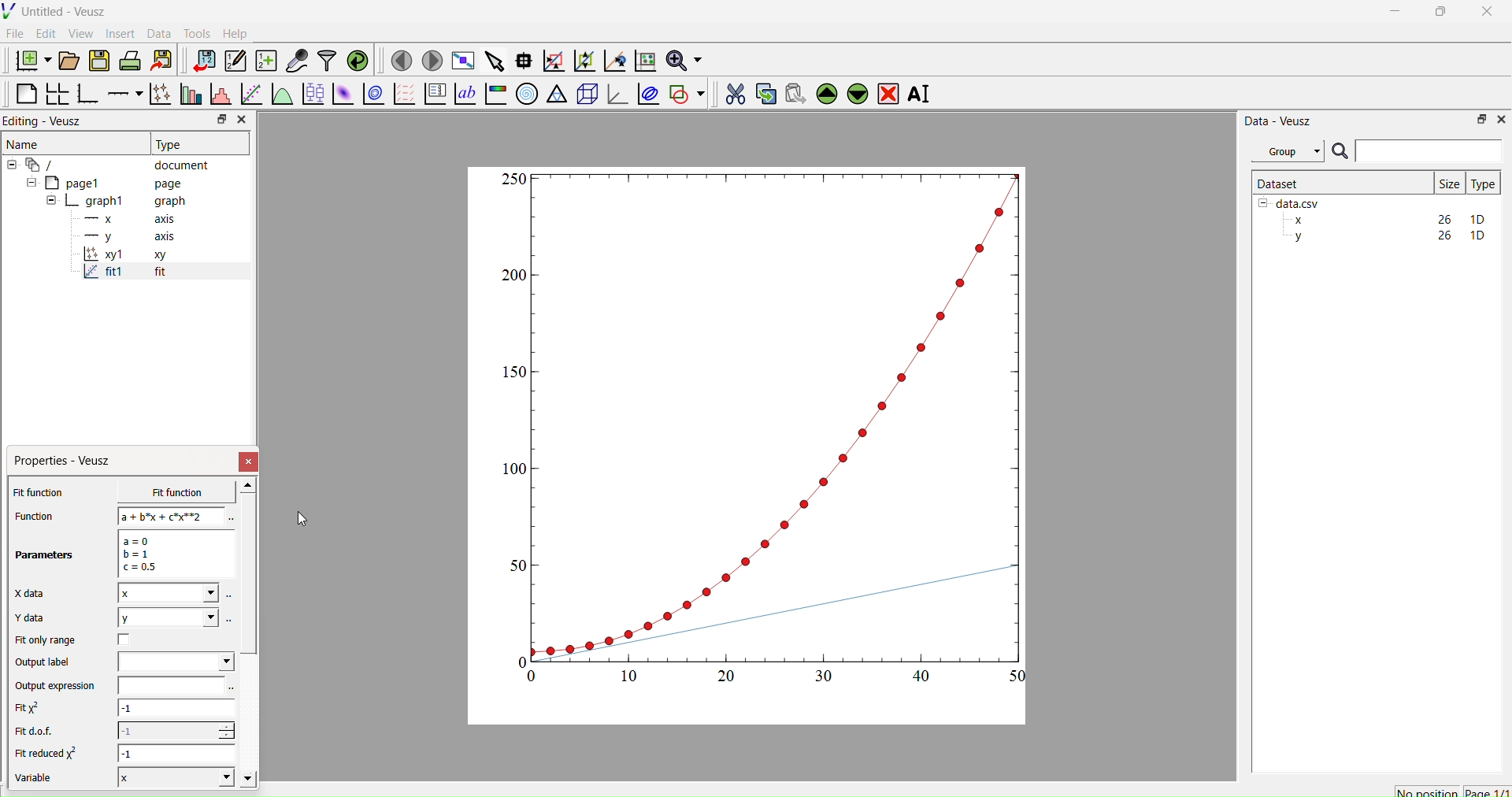 The height and width of the screenshot is (797, 1512). What do you see at coordinates (249, 634) in the screenshot?
I see `Scroll ` at bounding box center [249, 634].